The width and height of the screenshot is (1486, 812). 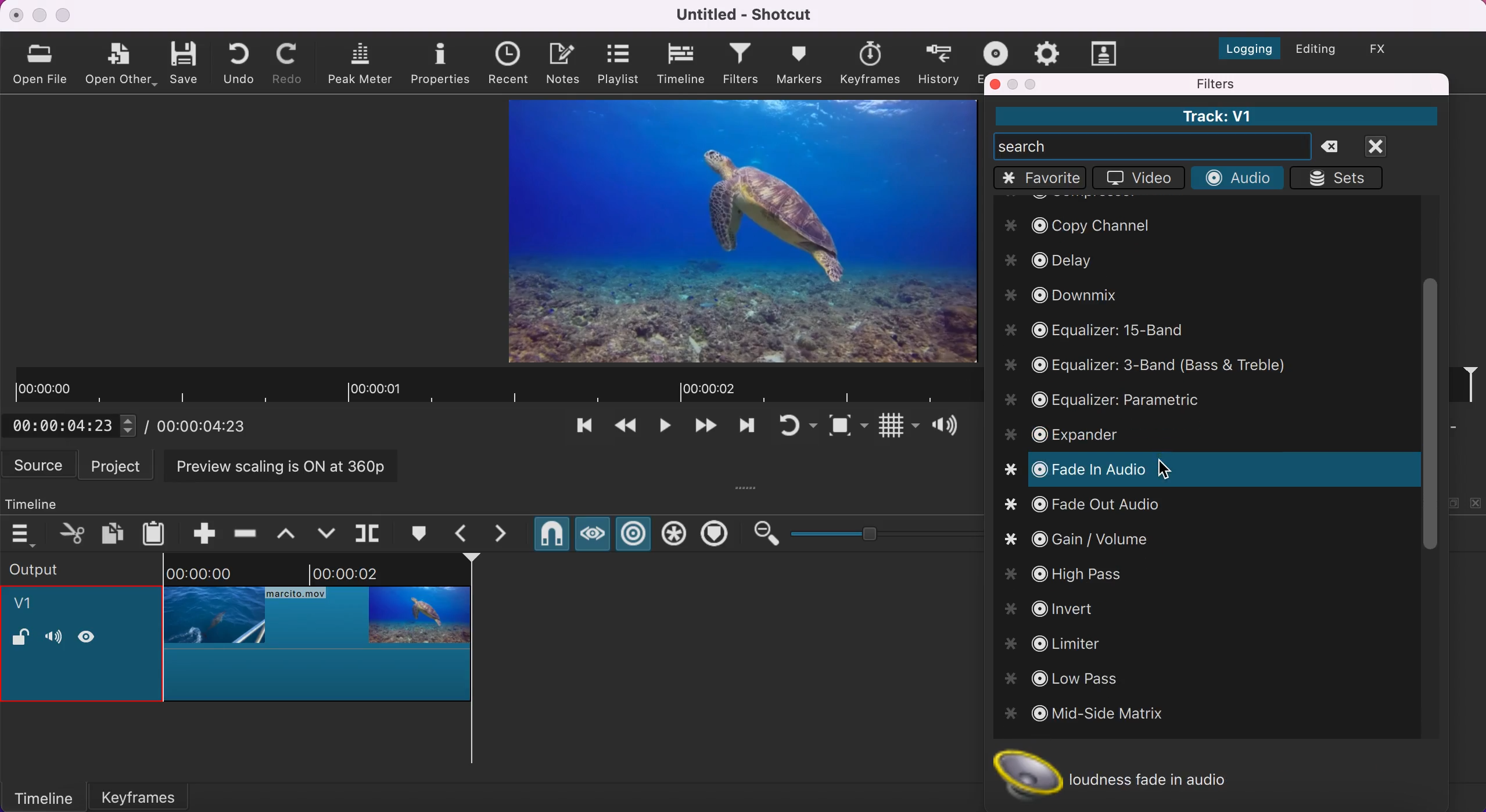 I want to click on maximize, so click(x=65, y=15).